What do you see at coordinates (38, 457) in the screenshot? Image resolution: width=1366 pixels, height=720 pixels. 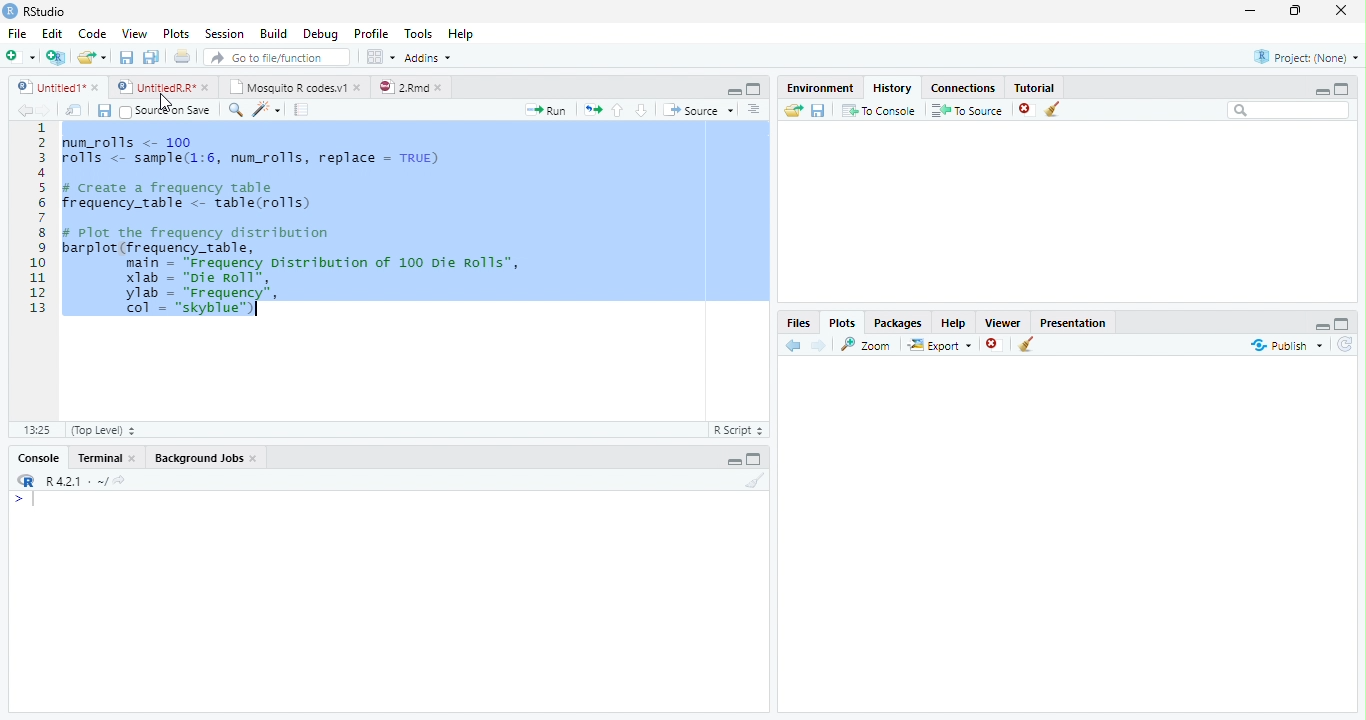 I see `Console` at bounding box center [38, 457].